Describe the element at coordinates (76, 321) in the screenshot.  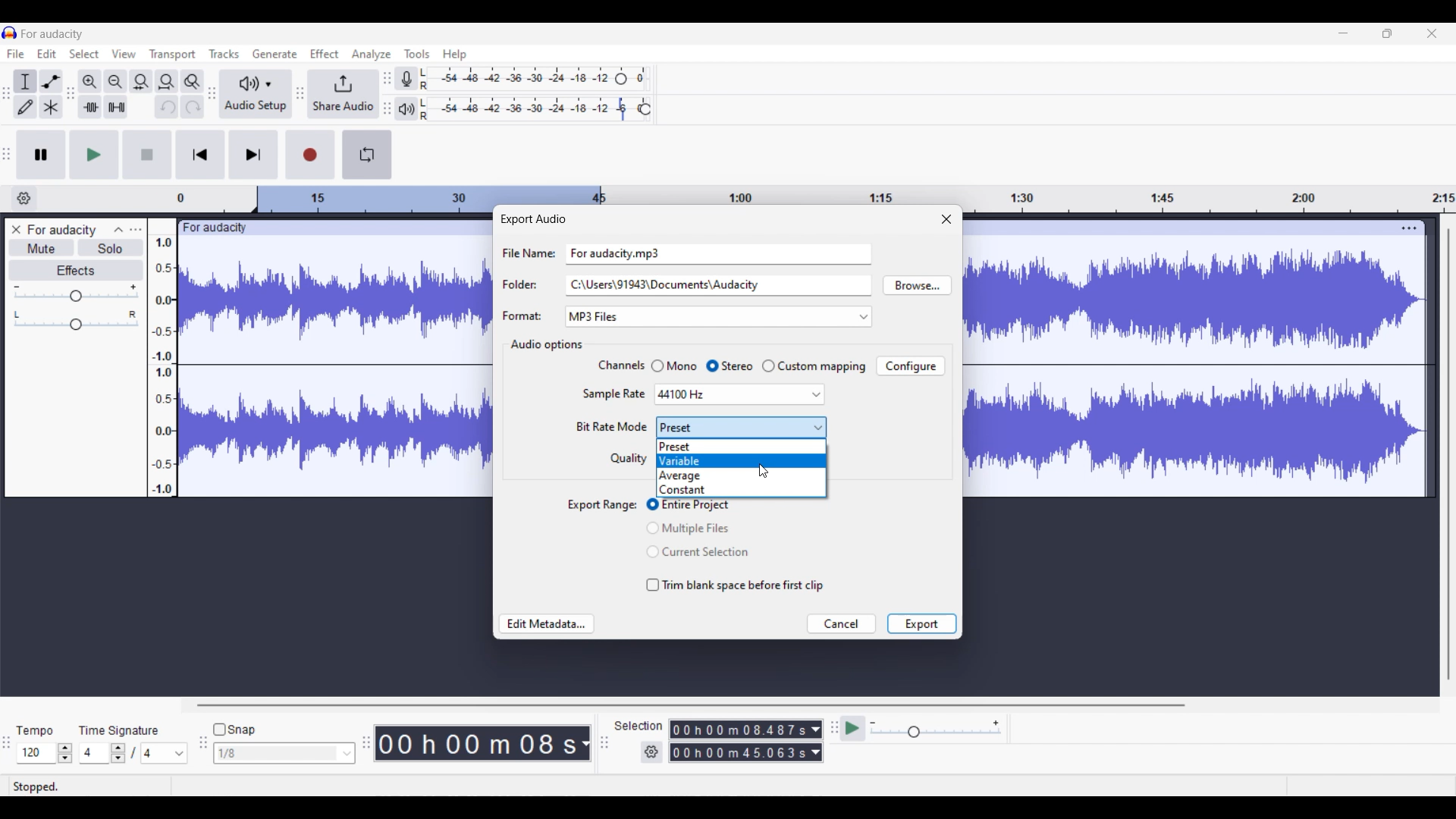
I see `Pan scale` at that location.